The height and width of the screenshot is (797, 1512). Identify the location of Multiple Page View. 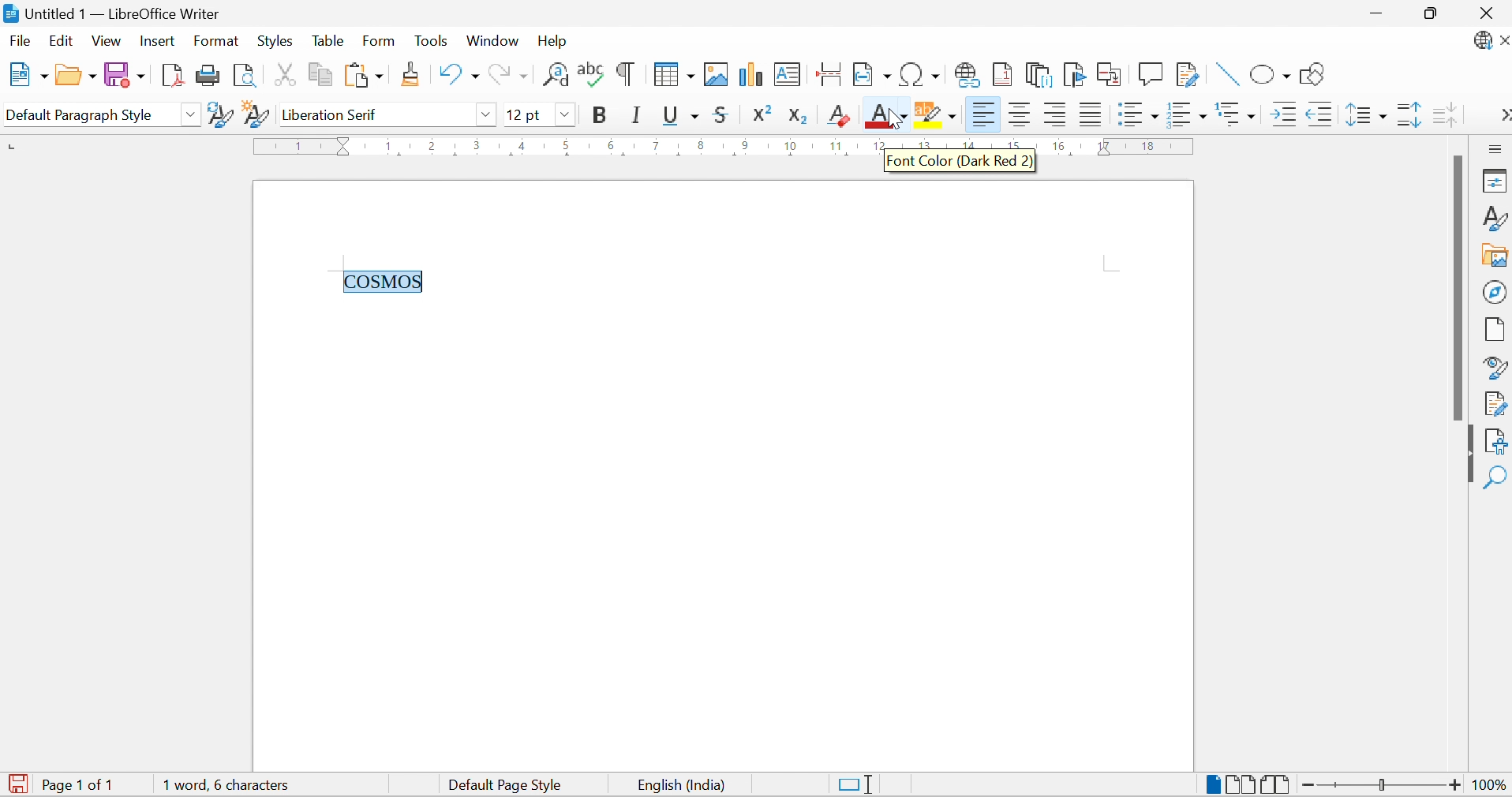
(1241, 783).